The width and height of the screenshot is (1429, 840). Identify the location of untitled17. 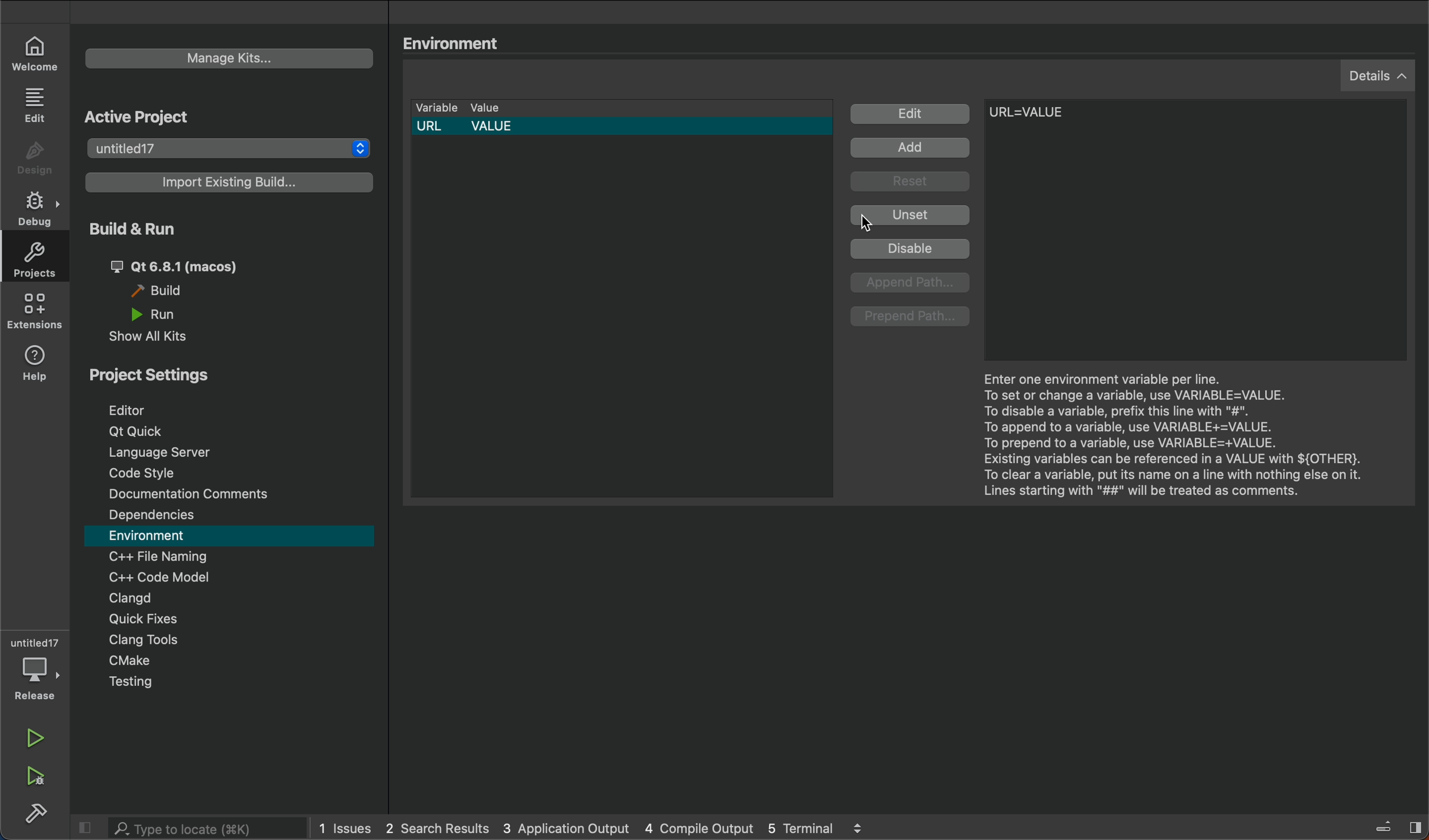
(232, 151).